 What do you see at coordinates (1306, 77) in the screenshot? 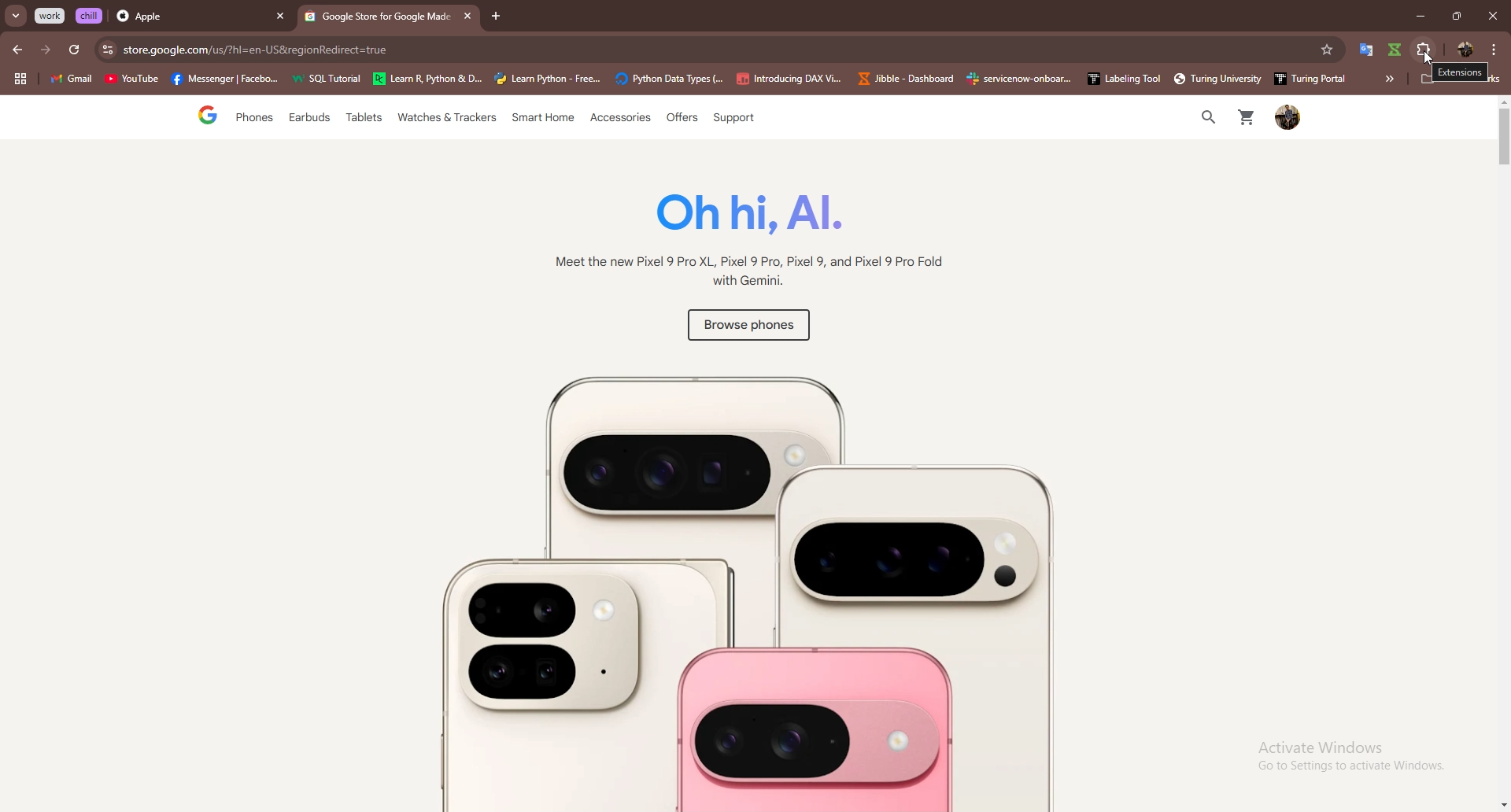
I see `Turing Portal` at bounding box center [1306, 77].